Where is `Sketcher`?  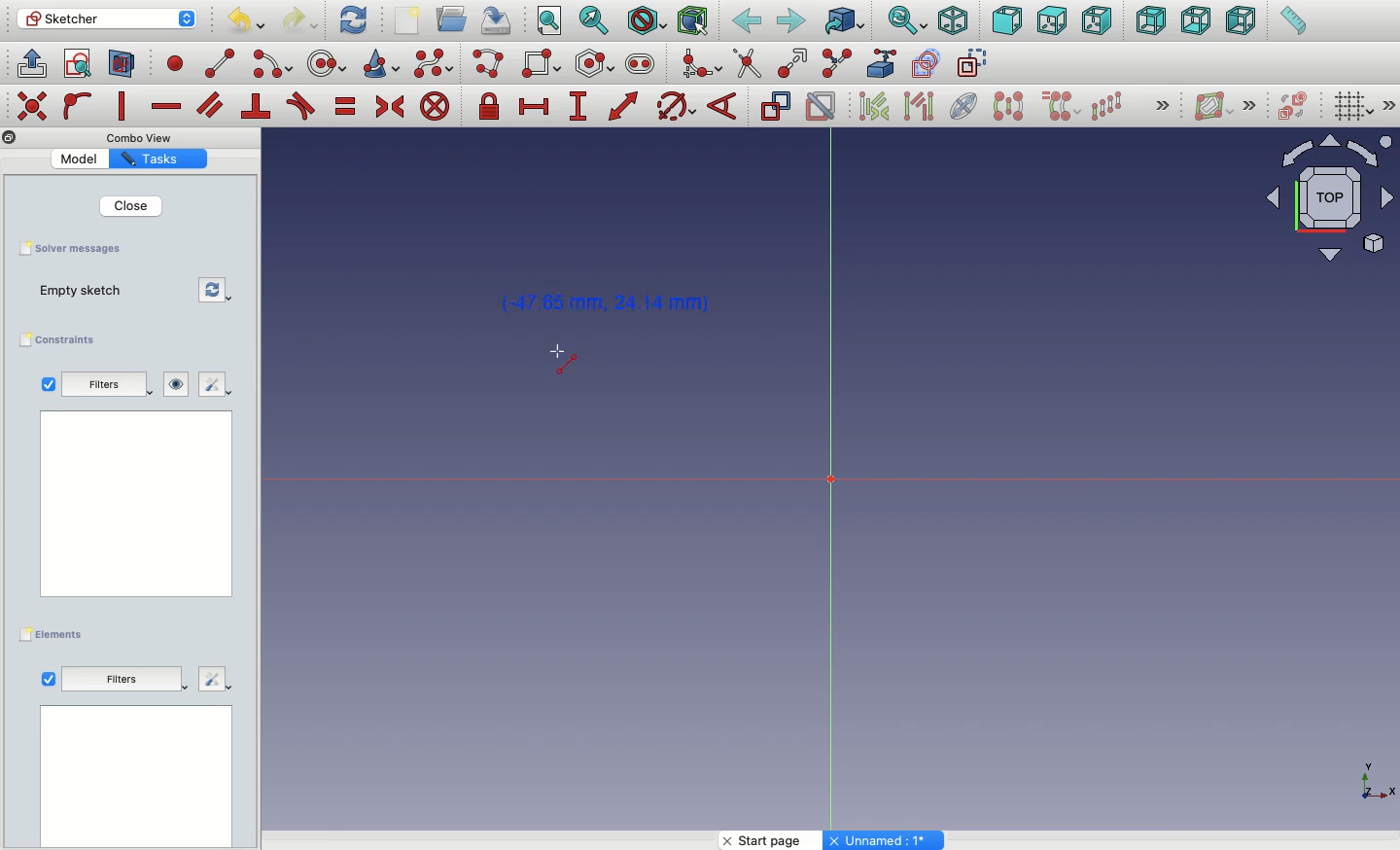
Sketcher is located at coordinates (108, 19).